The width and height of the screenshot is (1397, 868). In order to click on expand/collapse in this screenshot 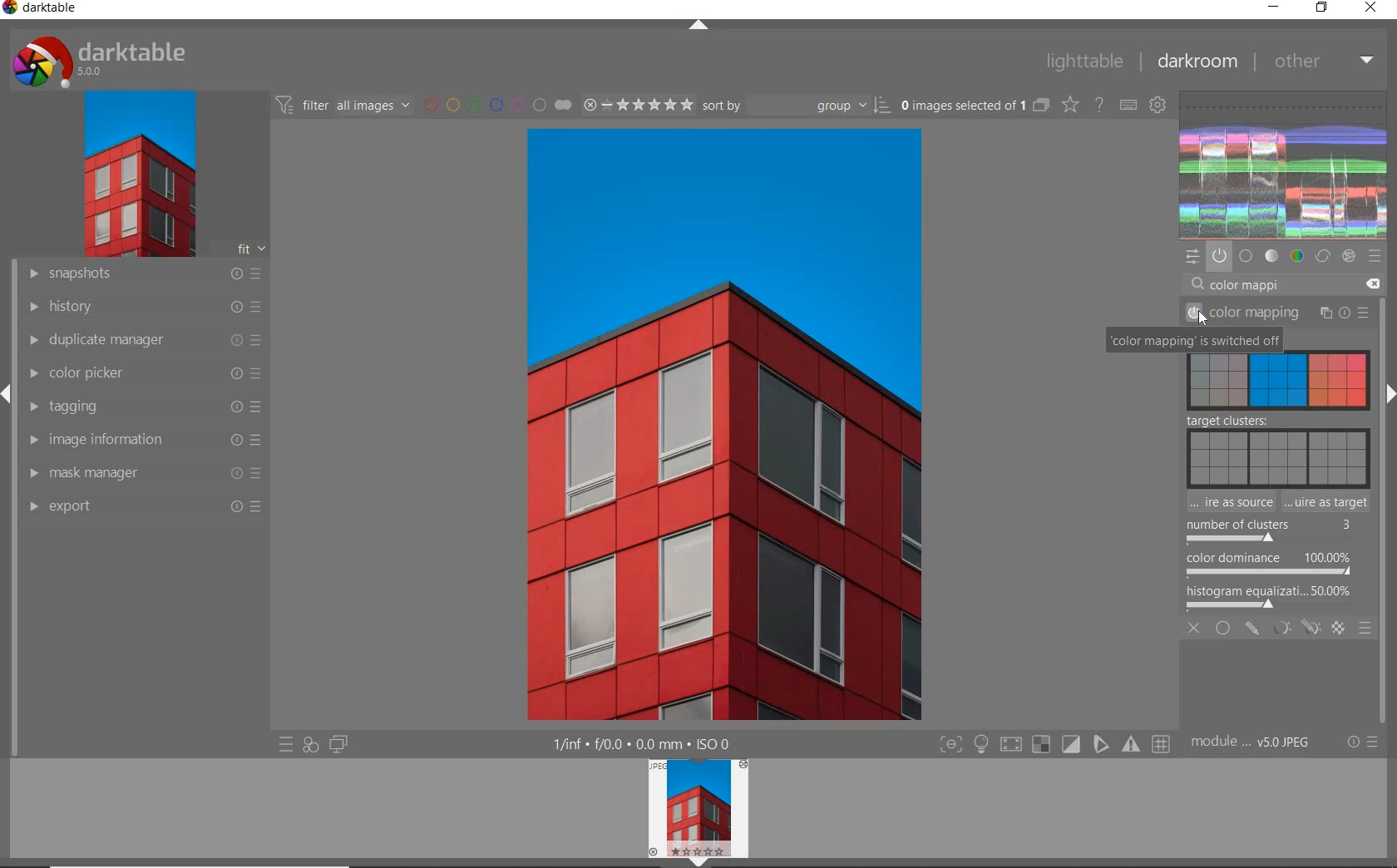, I will do `click(1389, 393)`.